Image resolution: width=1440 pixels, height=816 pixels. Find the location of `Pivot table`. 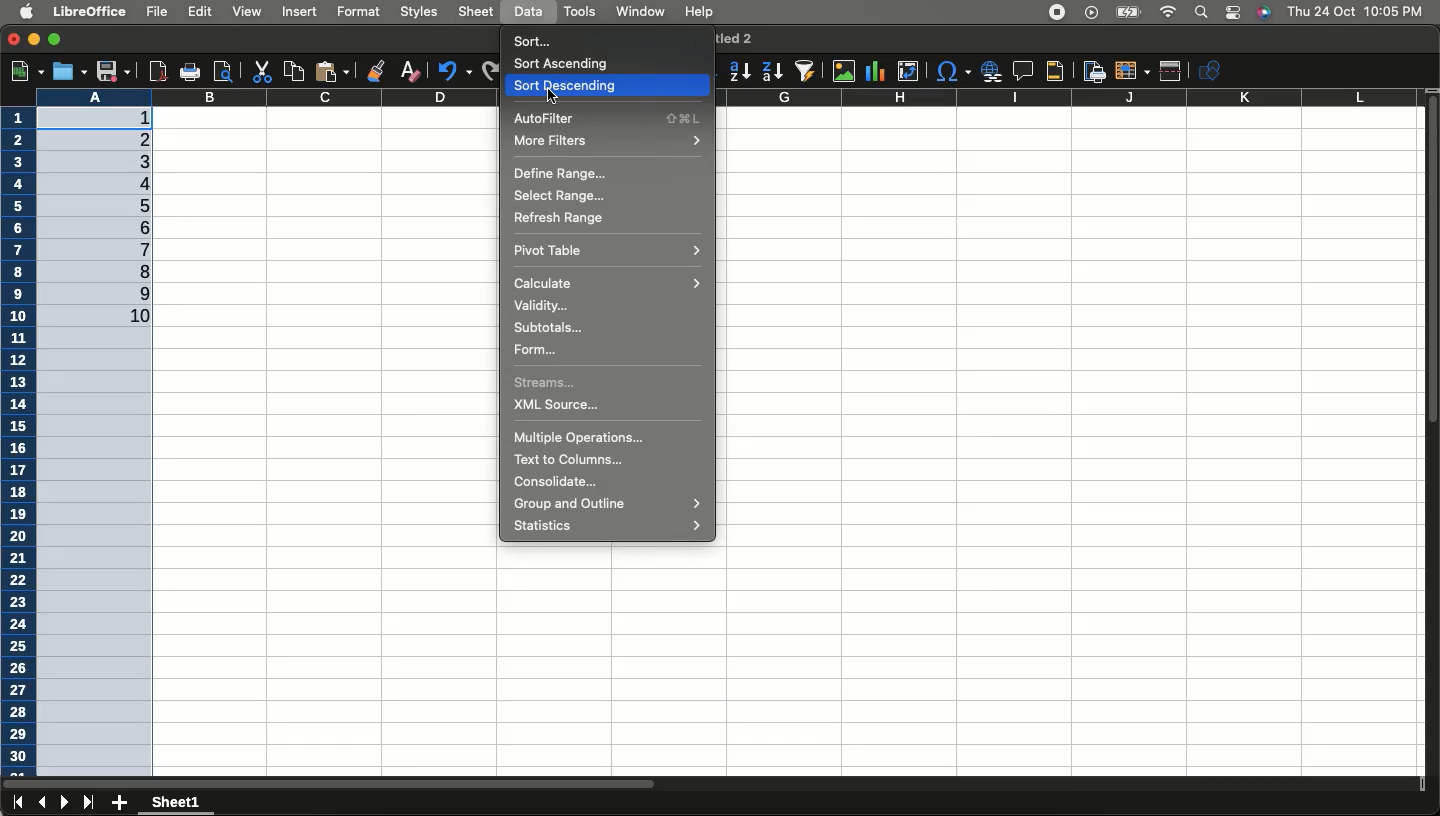

Pivot table is located at coordinates (605, 250).